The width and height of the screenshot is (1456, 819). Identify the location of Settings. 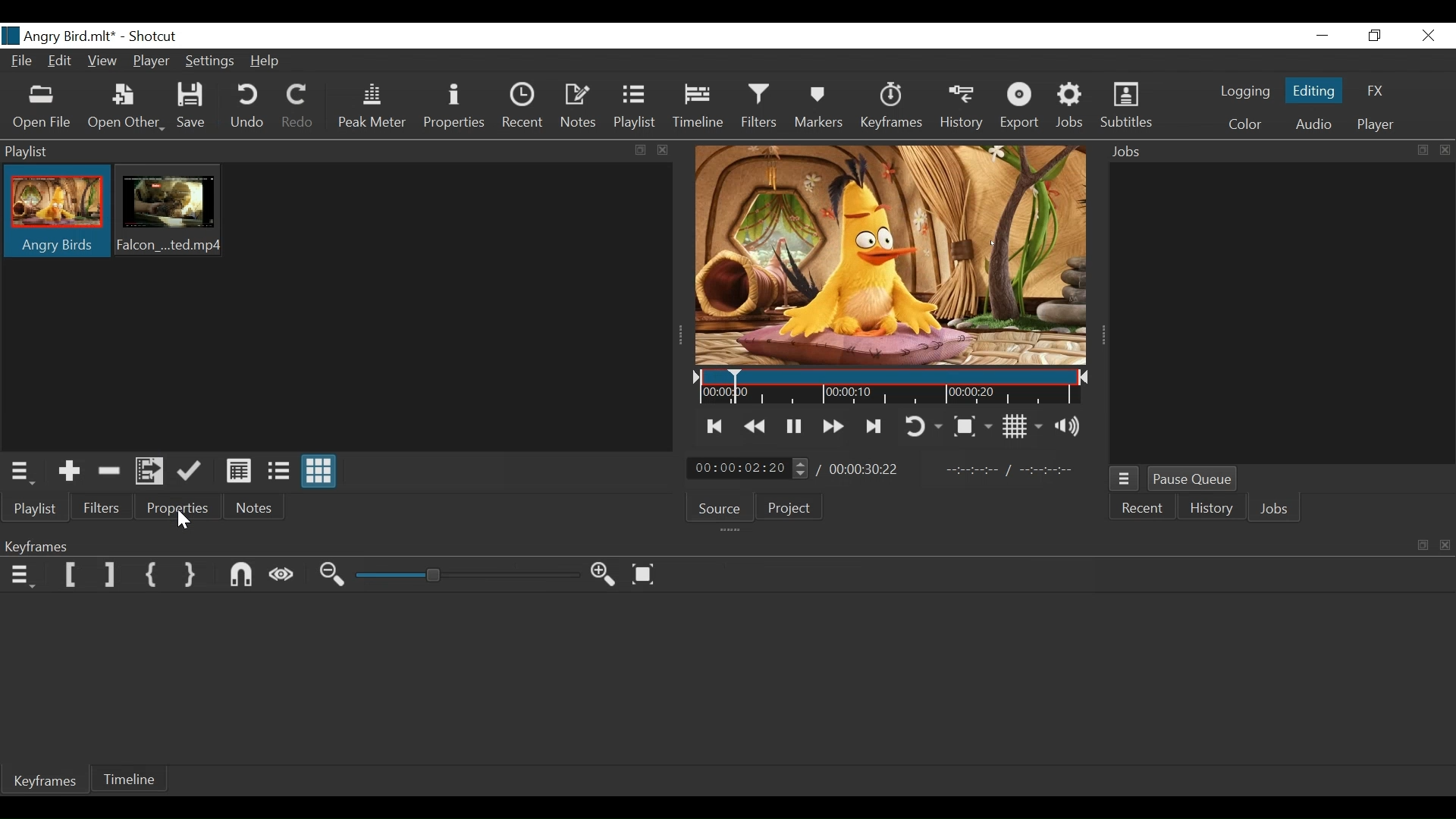
(208, 63).